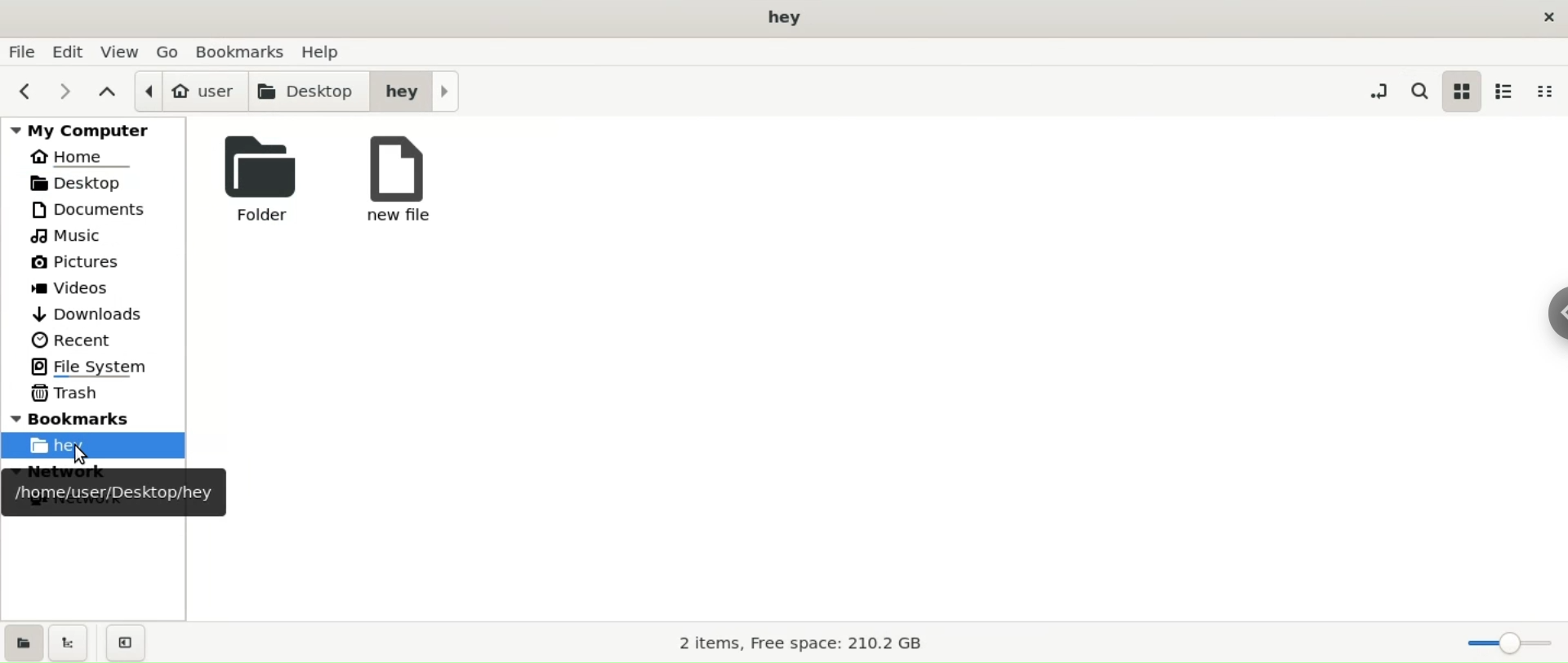 This screenshot has height=663, width=1568. I want to click on folder, so click(261, 185).